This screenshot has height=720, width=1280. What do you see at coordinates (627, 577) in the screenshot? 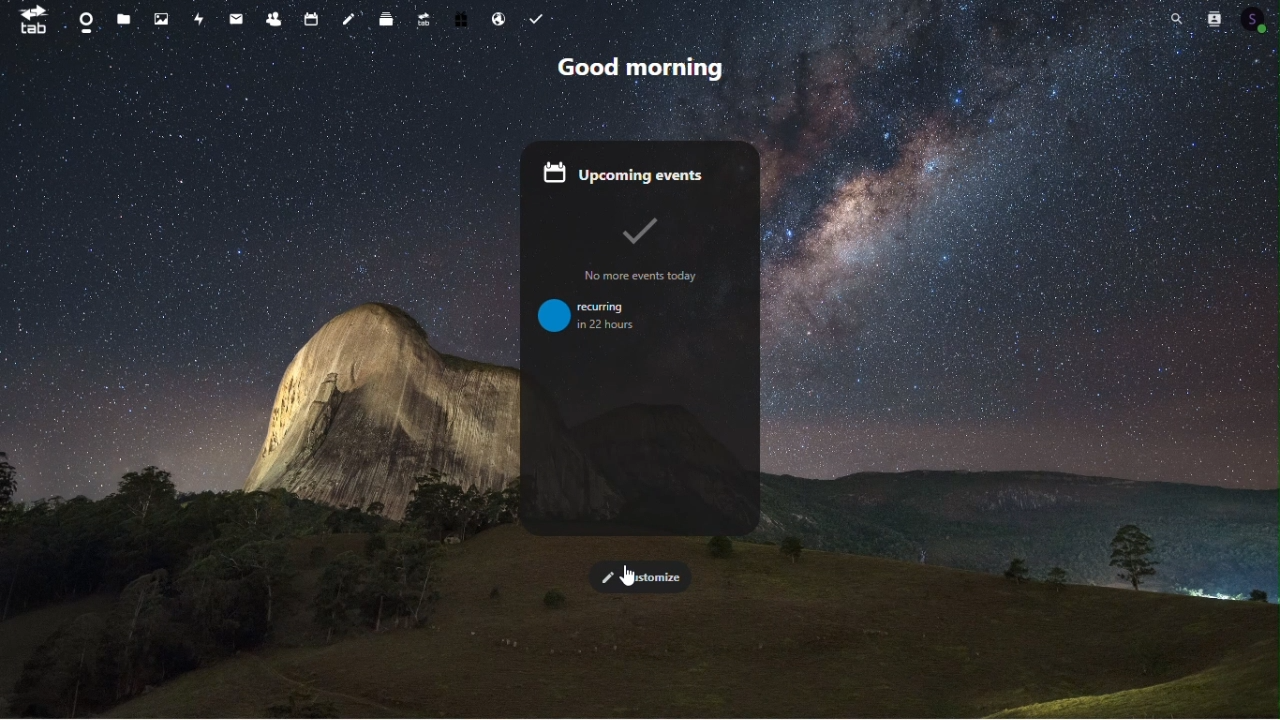
I see `cursor` at bounding box center [627, 577].